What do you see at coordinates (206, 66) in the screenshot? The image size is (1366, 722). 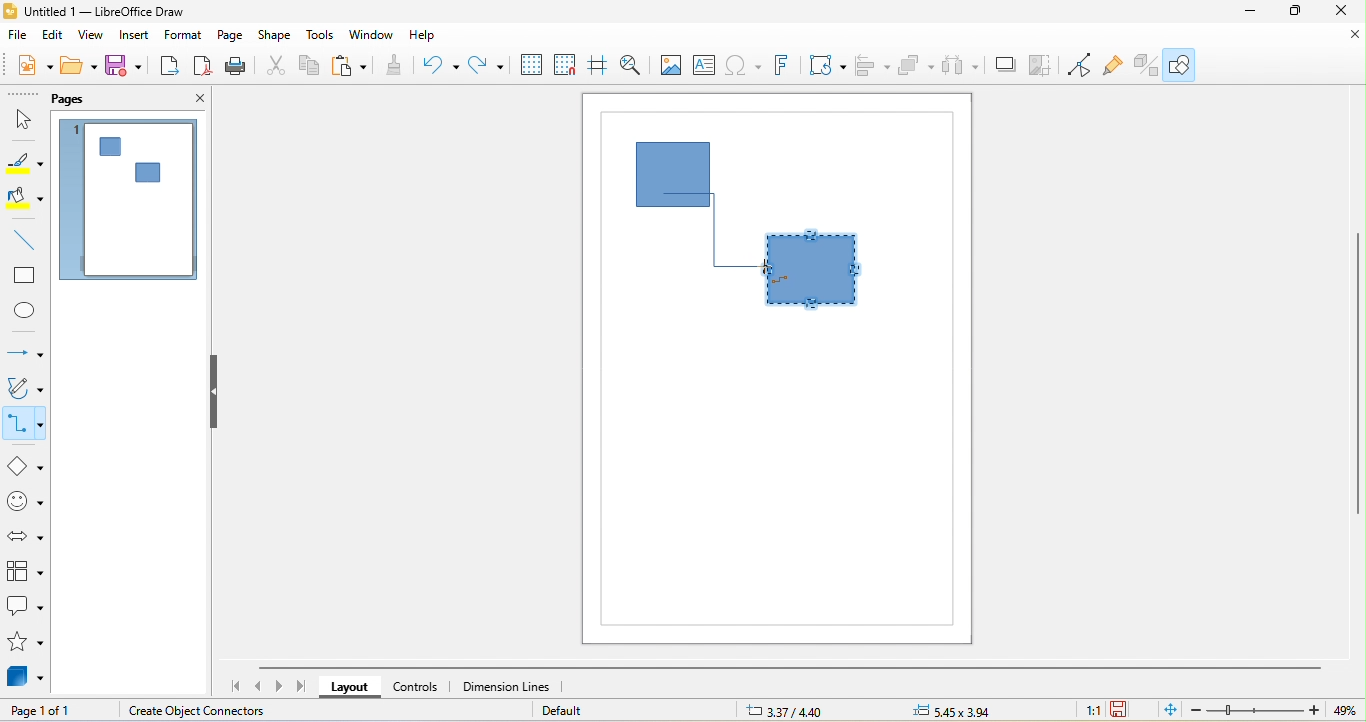 I see `export directly as pdf` at bounding box center [206, 66].